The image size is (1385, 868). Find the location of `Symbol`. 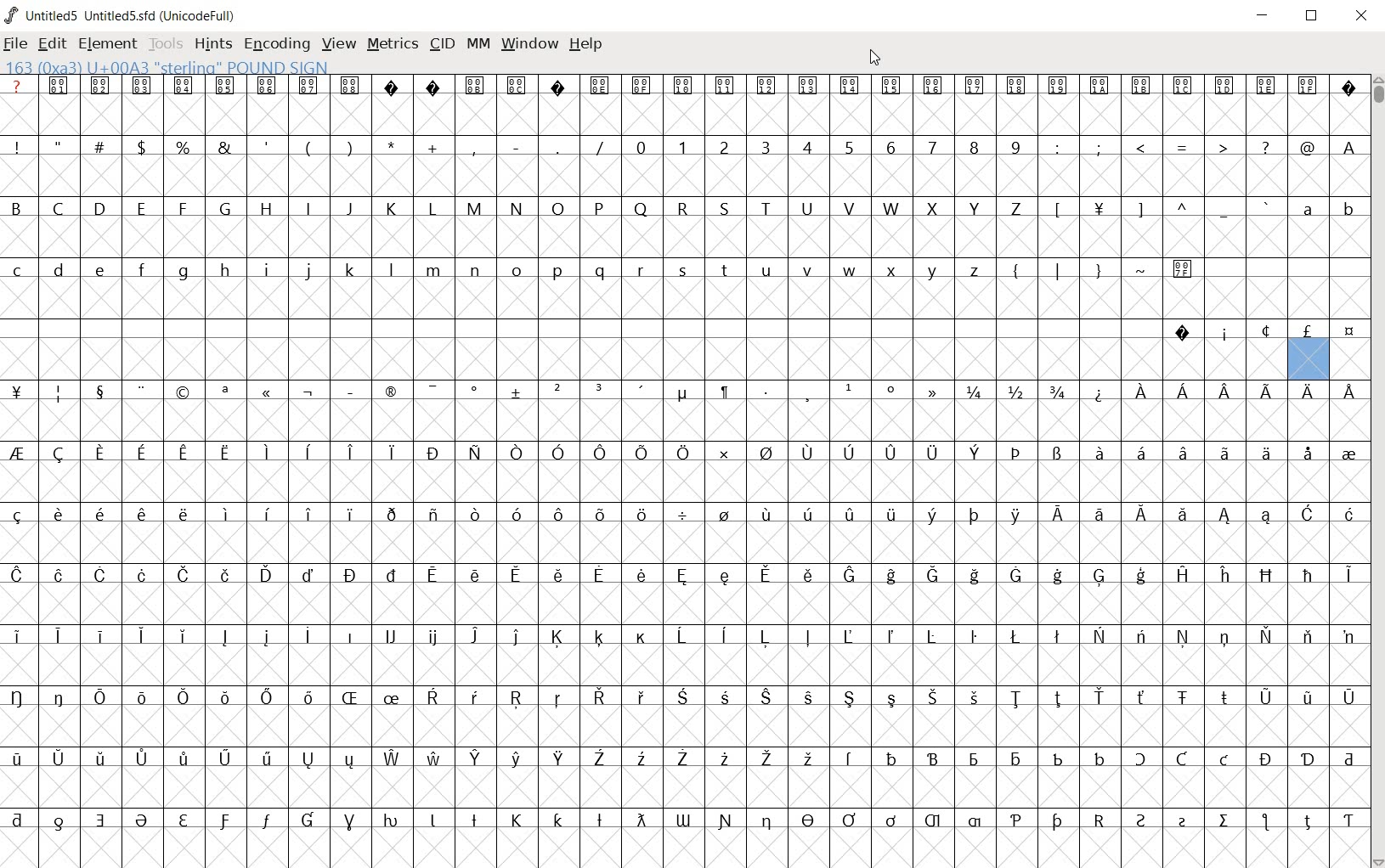

Symbol is located at coordinates (1181, 759).